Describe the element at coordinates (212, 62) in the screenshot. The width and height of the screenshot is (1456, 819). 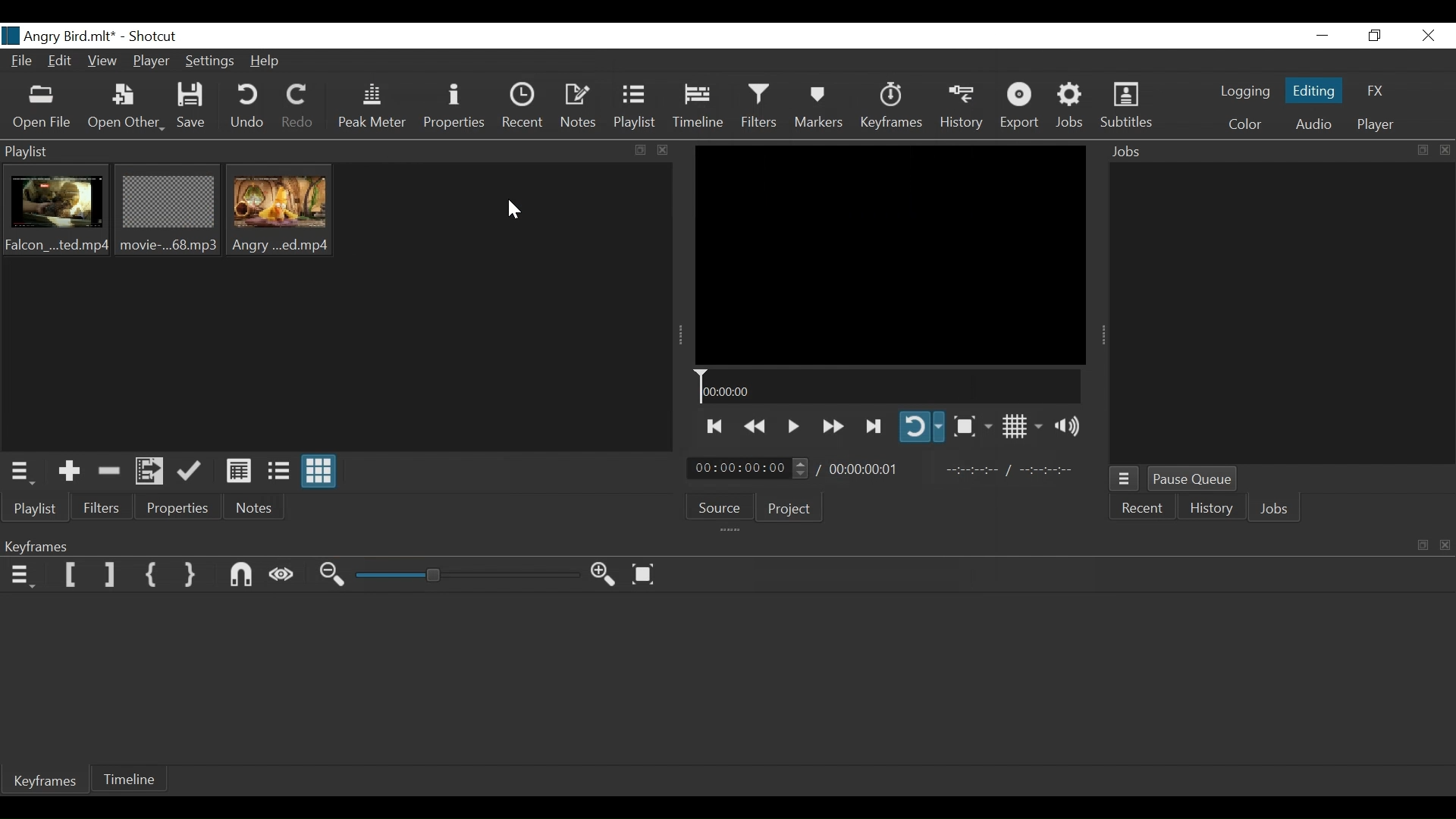
I see `Settings` at that location.